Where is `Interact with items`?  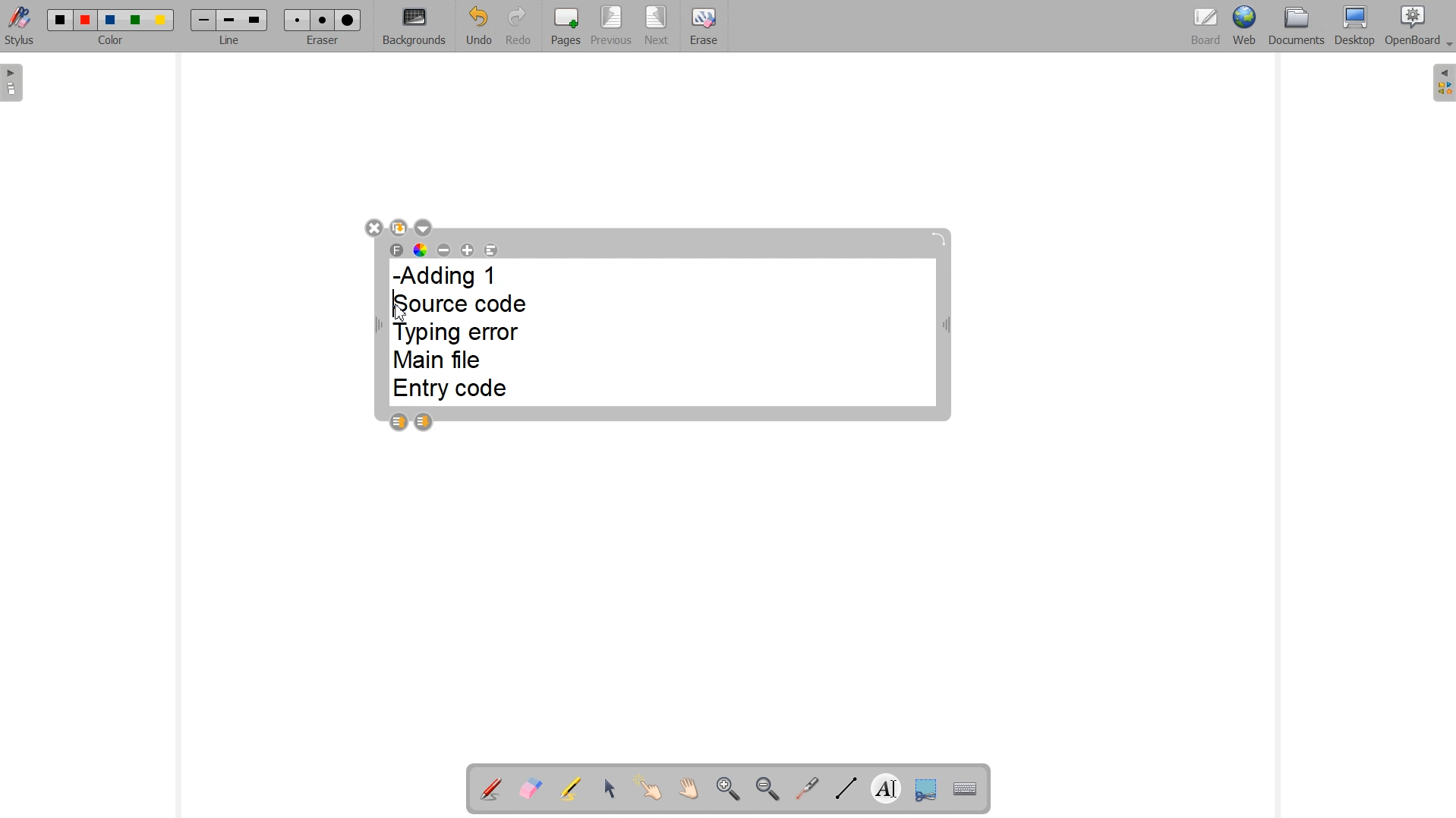
Interact with items is located at coordinates (650, 790).